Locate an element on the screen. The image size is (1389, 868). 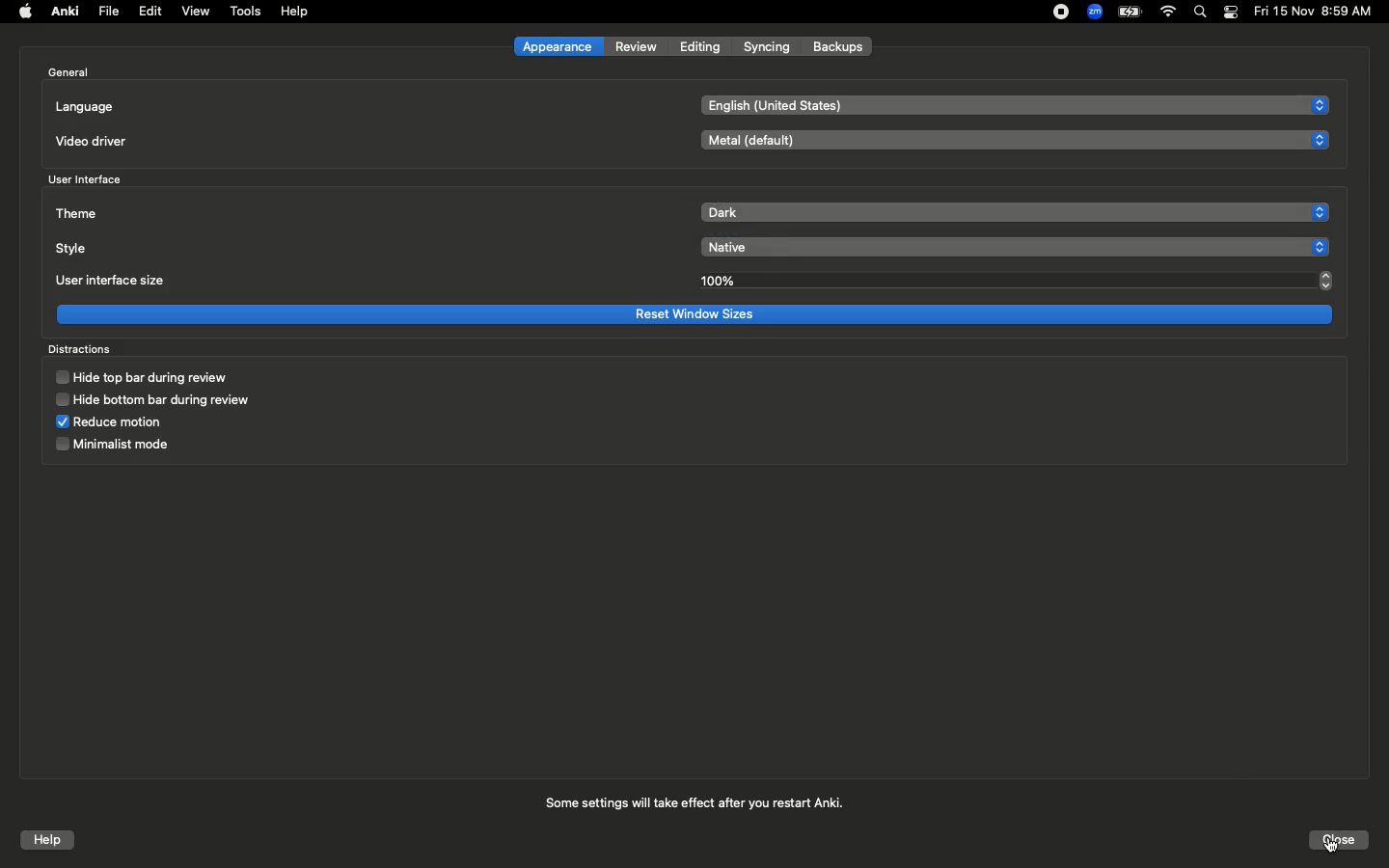
View is located at coordinates (197, 10).